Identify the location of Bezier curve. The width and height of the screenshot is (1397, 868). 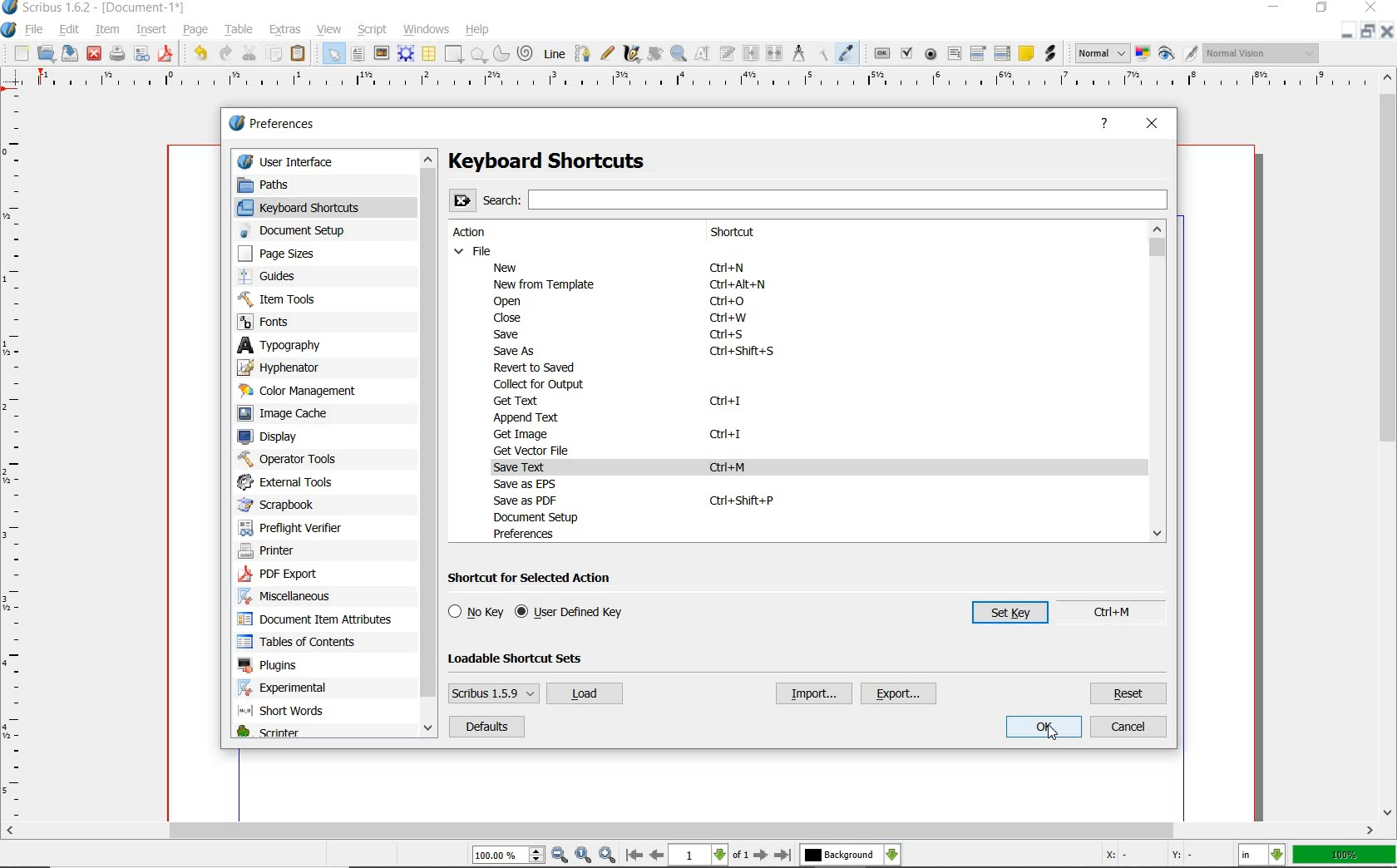
(583, 54).